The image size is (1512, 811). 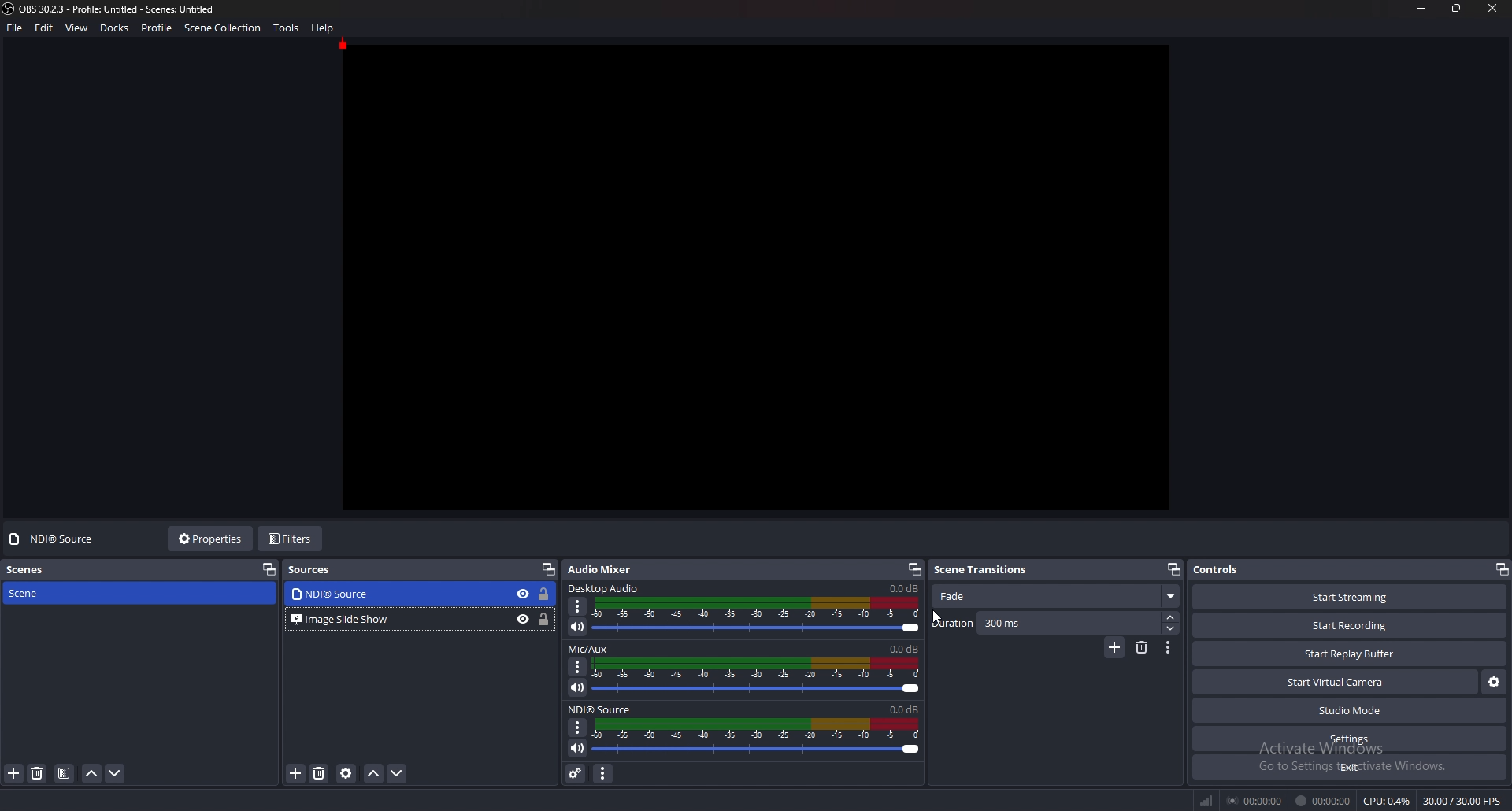 I want to click on scene, so click(x=43, y=594).